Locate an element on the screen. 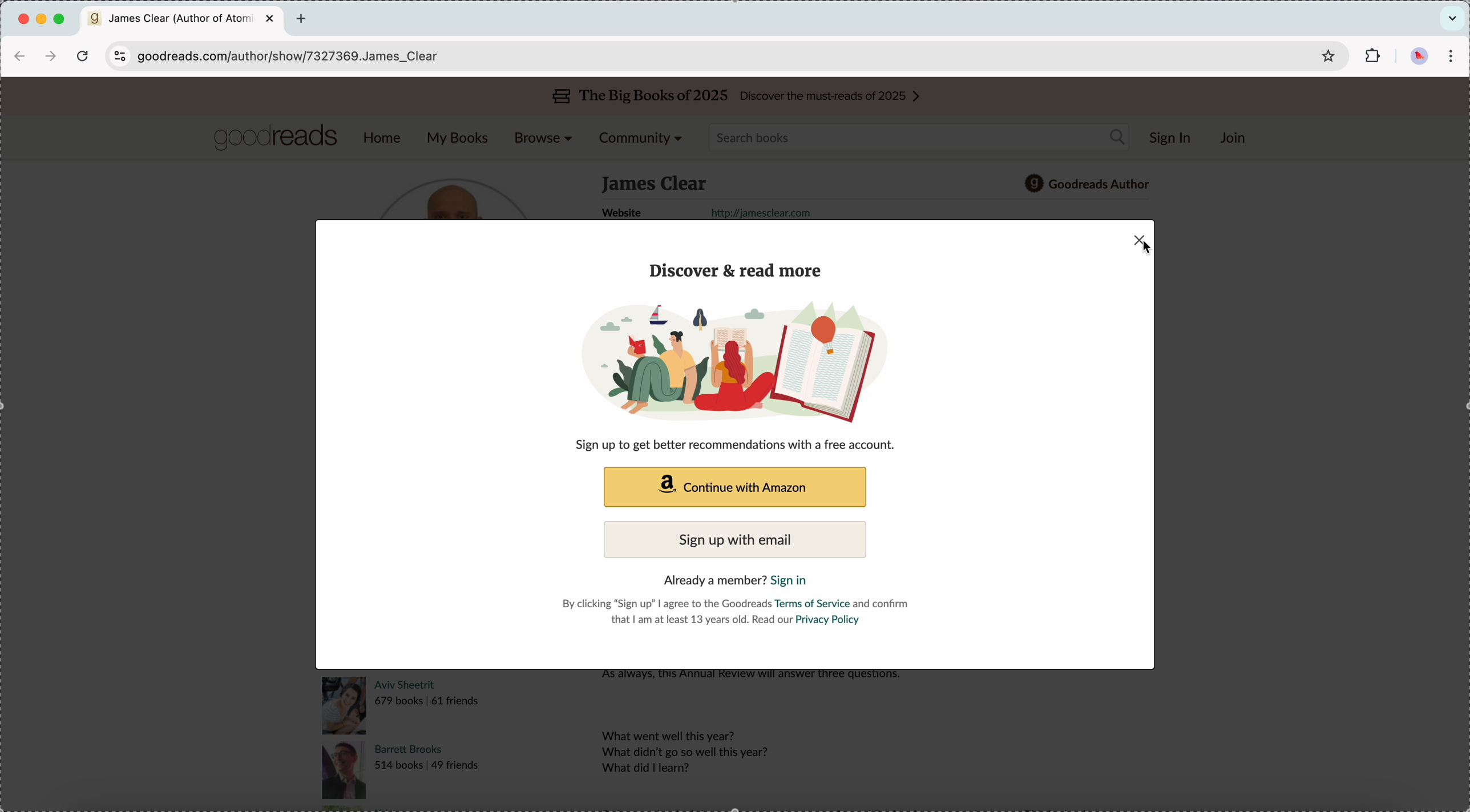  Sign up with email is located at coordinates (733, 539).